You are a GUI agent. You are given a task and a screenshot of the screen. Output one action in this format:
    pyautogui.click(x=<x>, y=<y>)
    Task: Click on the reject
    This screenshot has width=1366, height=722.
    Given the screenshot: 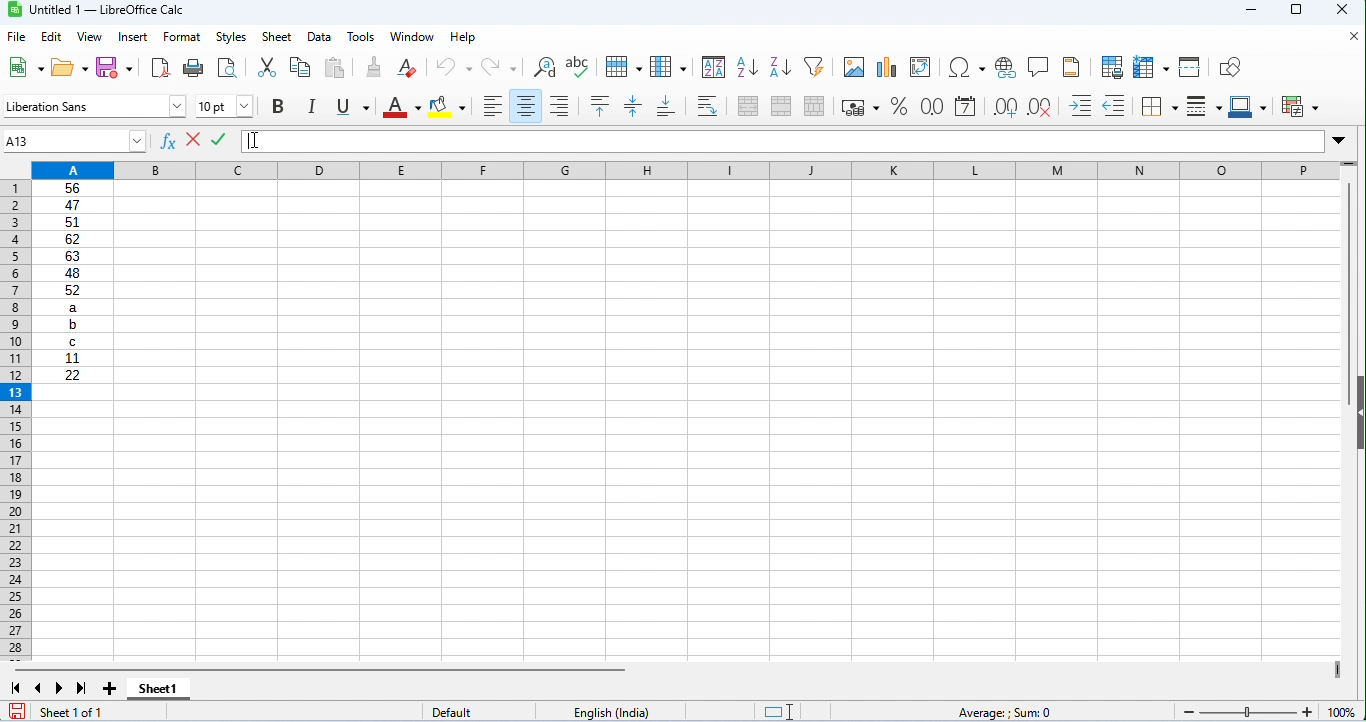 What is the action you would take?
    pyautogui.click(x=193, y=139)
    